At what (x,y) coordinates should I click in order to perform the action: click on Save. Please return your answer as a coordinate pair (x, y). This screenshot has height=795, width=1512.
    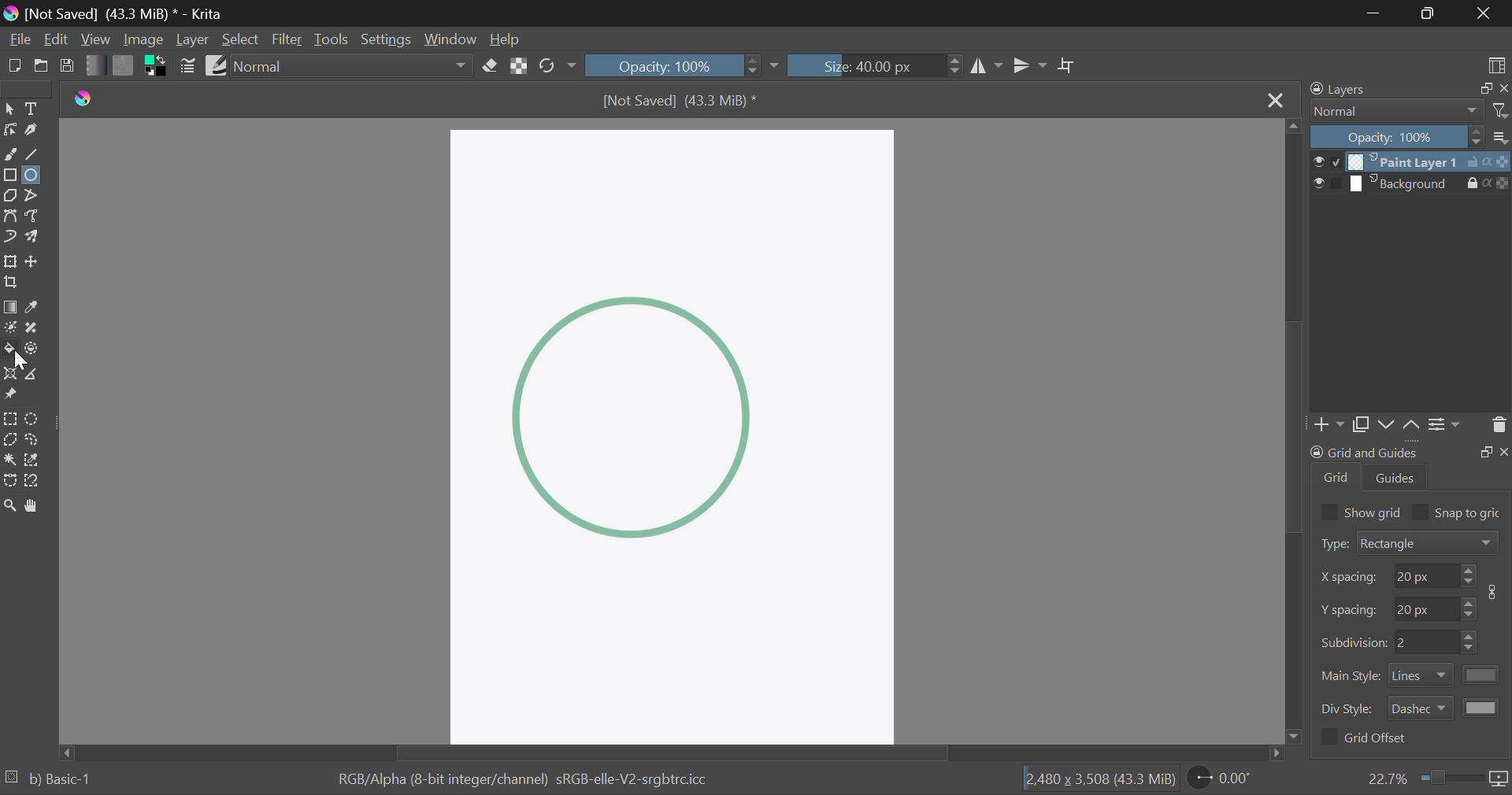
    Looking at the image, I should click on (68, 68).